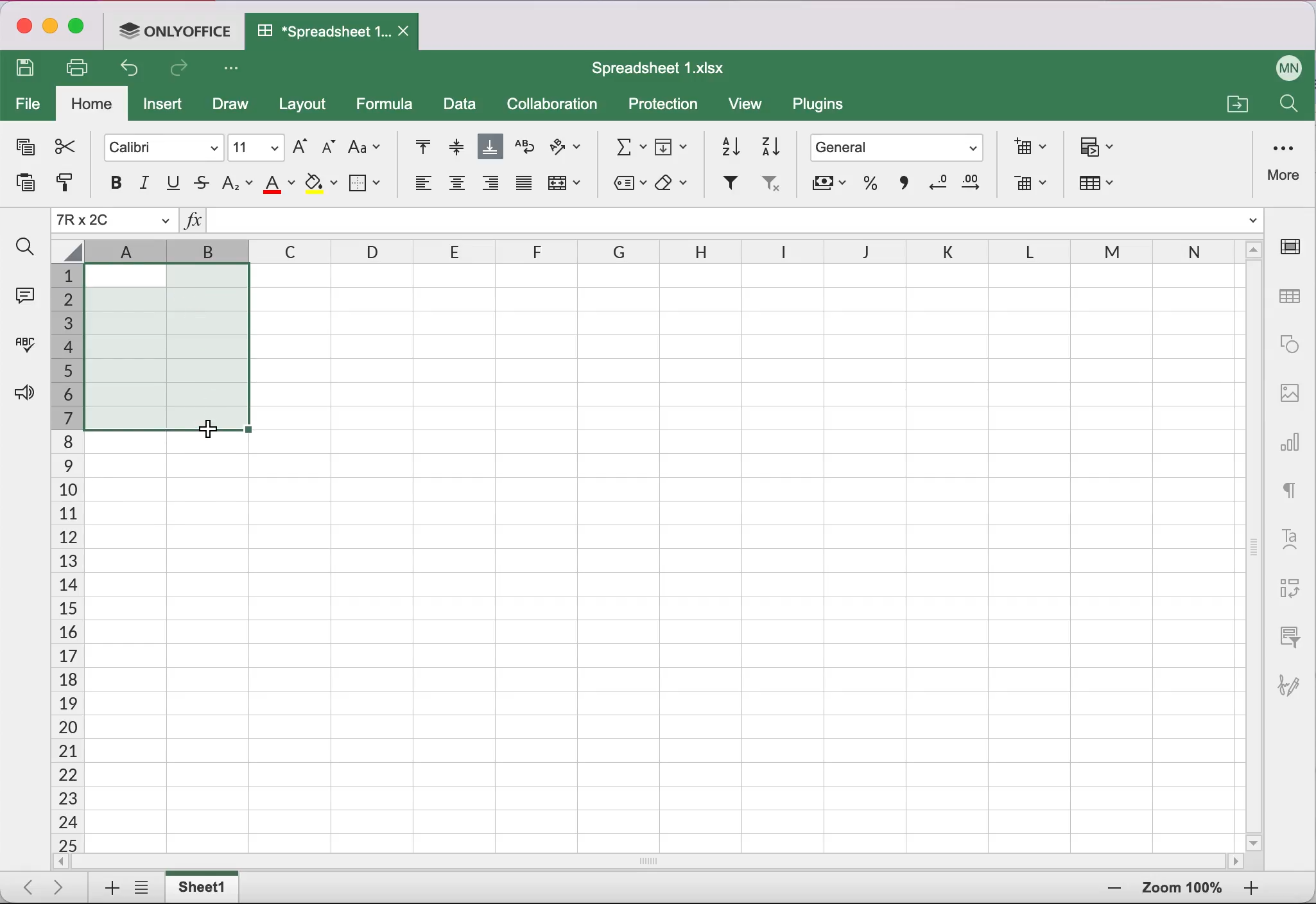 Image resolution: width=1316 pixels, height=904 pixels. I want to click on zoom percentage, so click(1182, 890).